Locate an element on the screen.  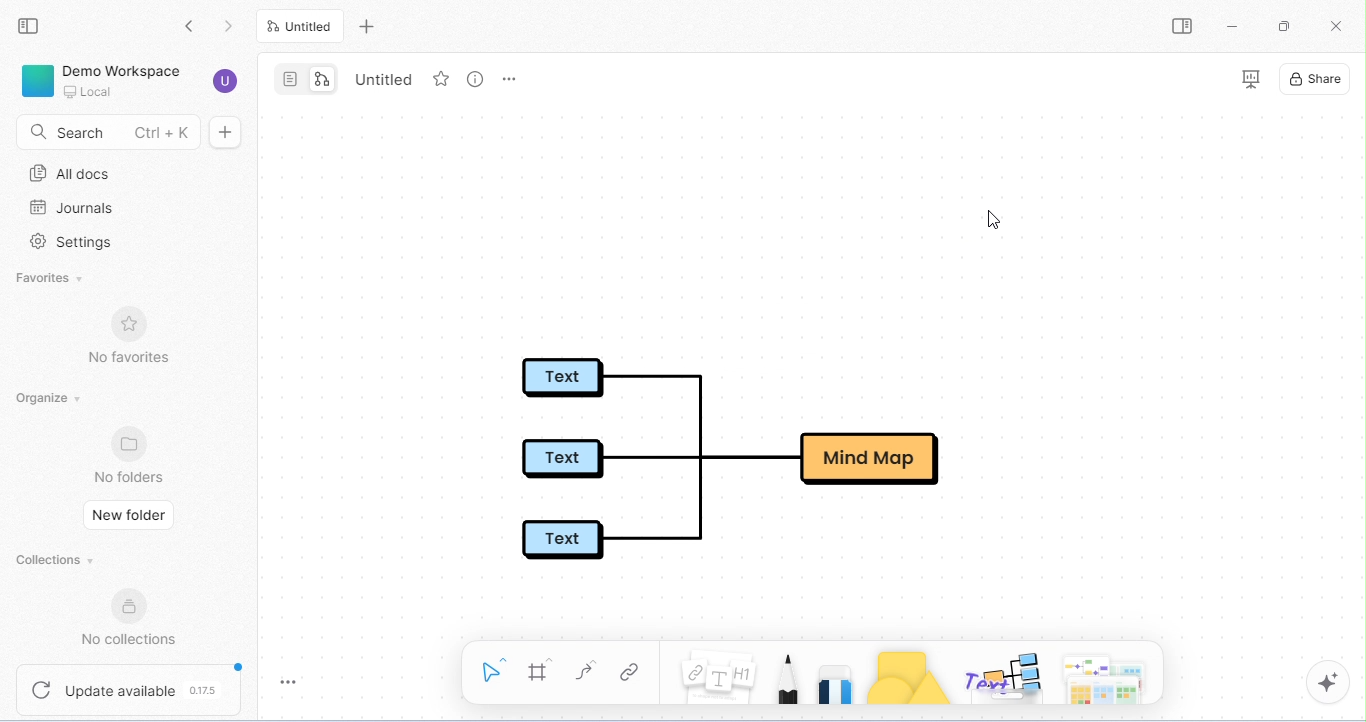
favorite is located at coordinates (444, 79).